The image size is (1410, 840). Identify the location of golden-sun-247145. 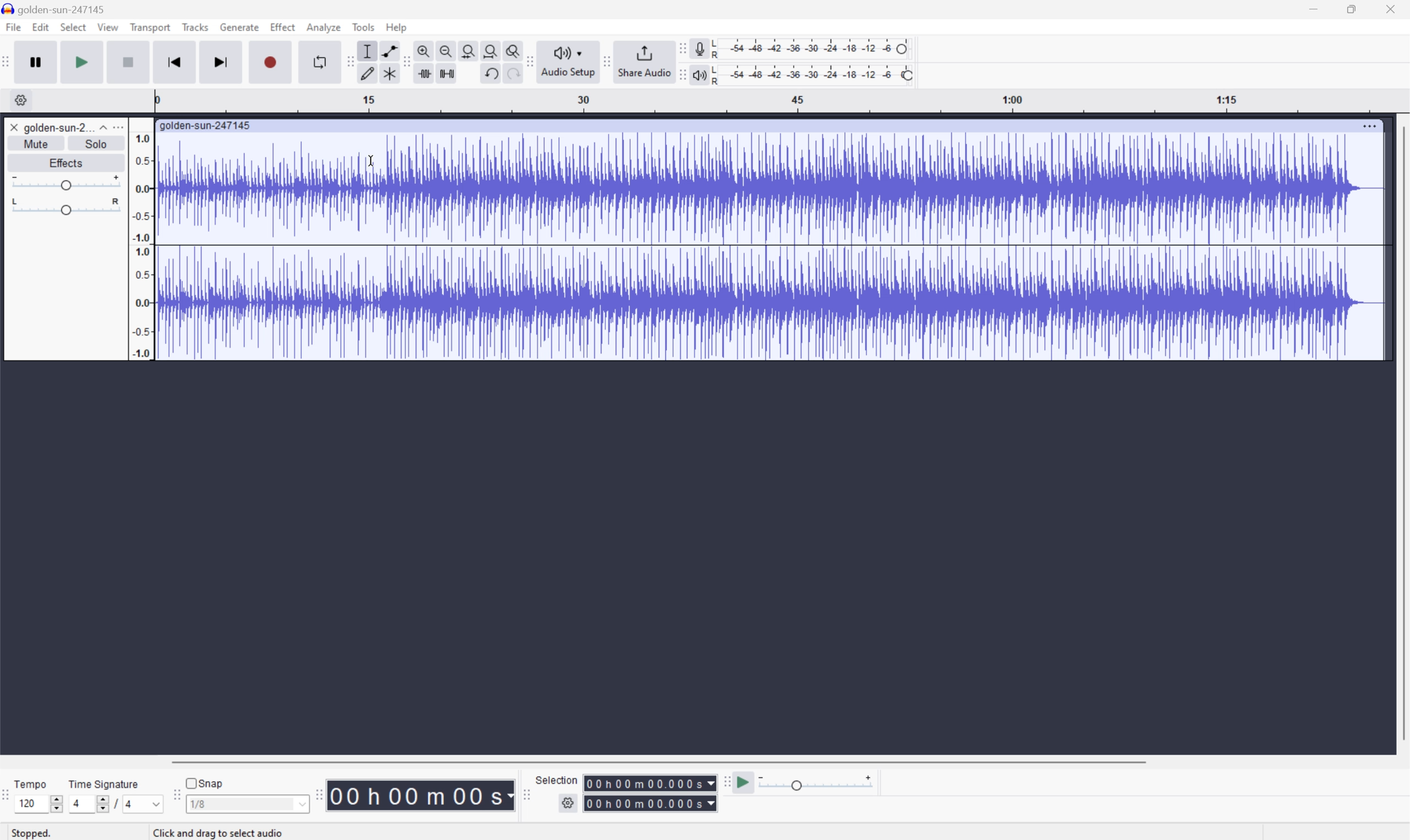
(57, 8).